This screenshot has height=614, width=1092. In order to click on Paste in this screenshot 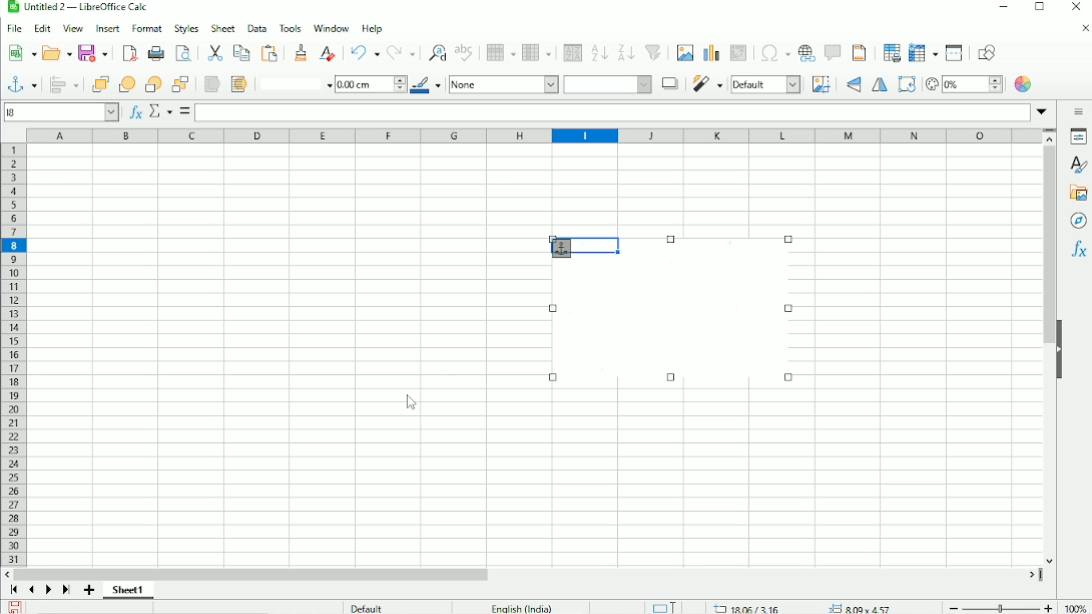, I will do `click(271, 52)`.